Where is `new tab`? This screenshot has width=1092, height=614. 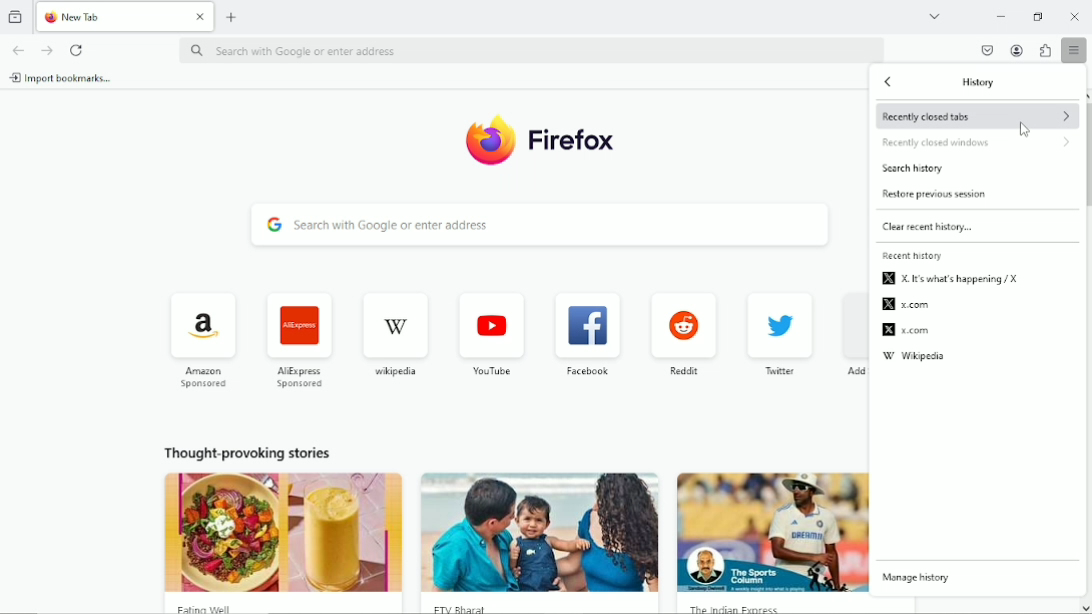 new tab is located at coordinates (234, 16).